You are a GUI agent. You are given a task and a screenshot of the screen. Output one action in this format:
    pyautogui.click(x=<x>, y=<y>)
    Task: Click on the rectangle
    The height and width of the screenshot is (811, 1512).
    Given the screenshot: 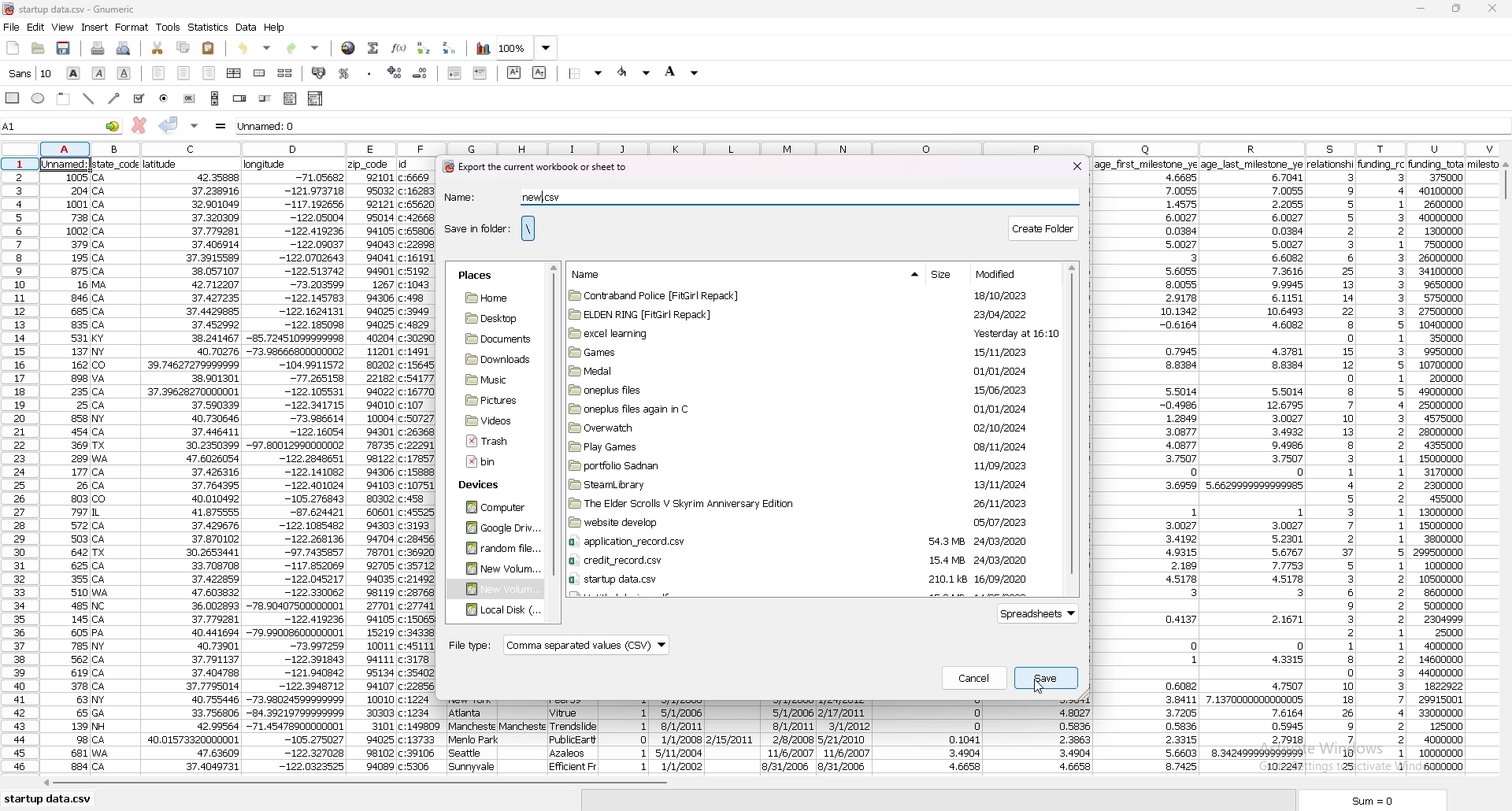 What is the action you would take?
    pyautogui.click(x=14, y=97)
    